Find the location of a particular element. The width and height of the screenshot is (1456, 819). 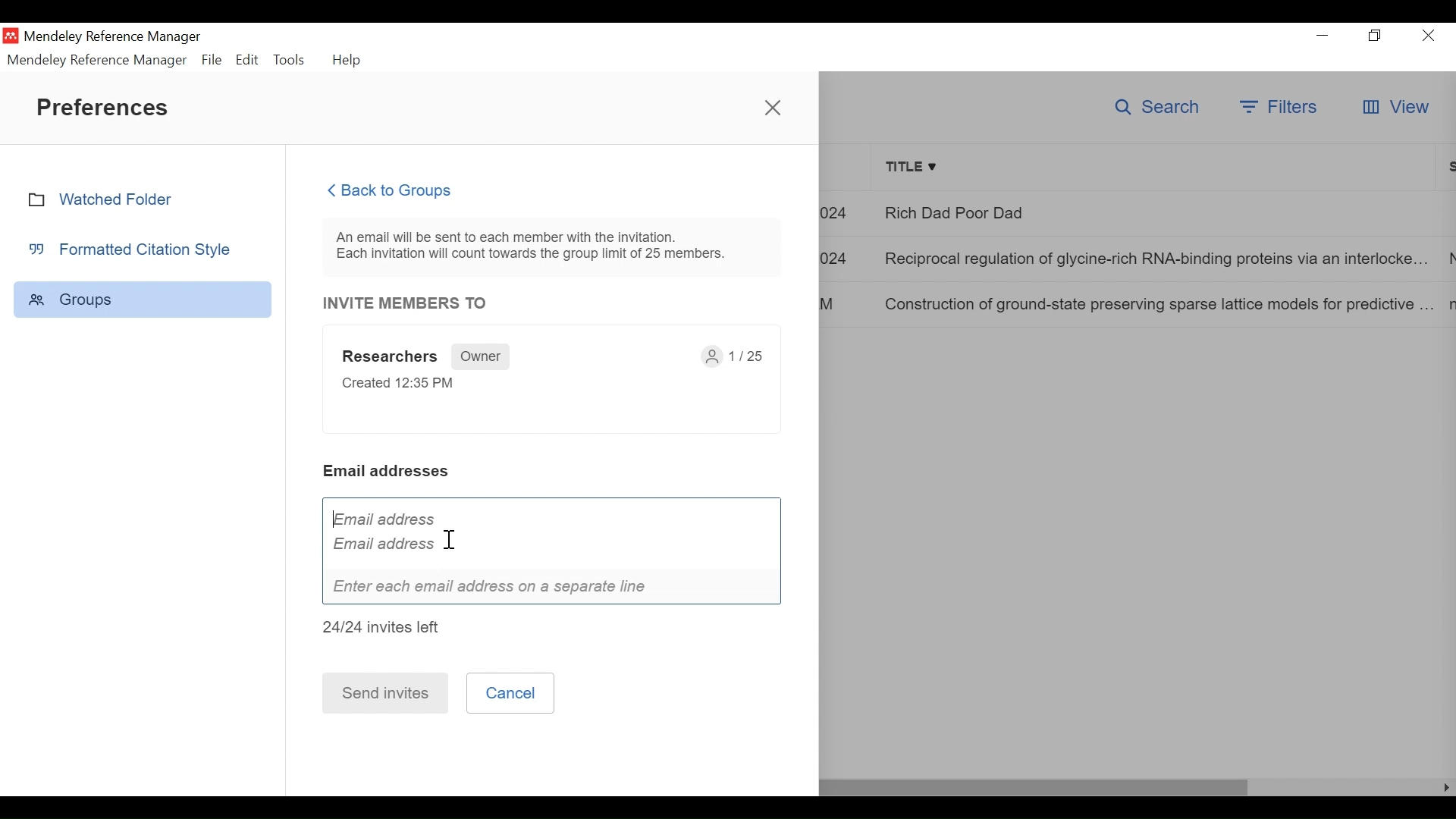

An email will be sent to each member with the invitation.
Each invitation will count towards the group limit of 25 members. is located at coordinates (538, 247).